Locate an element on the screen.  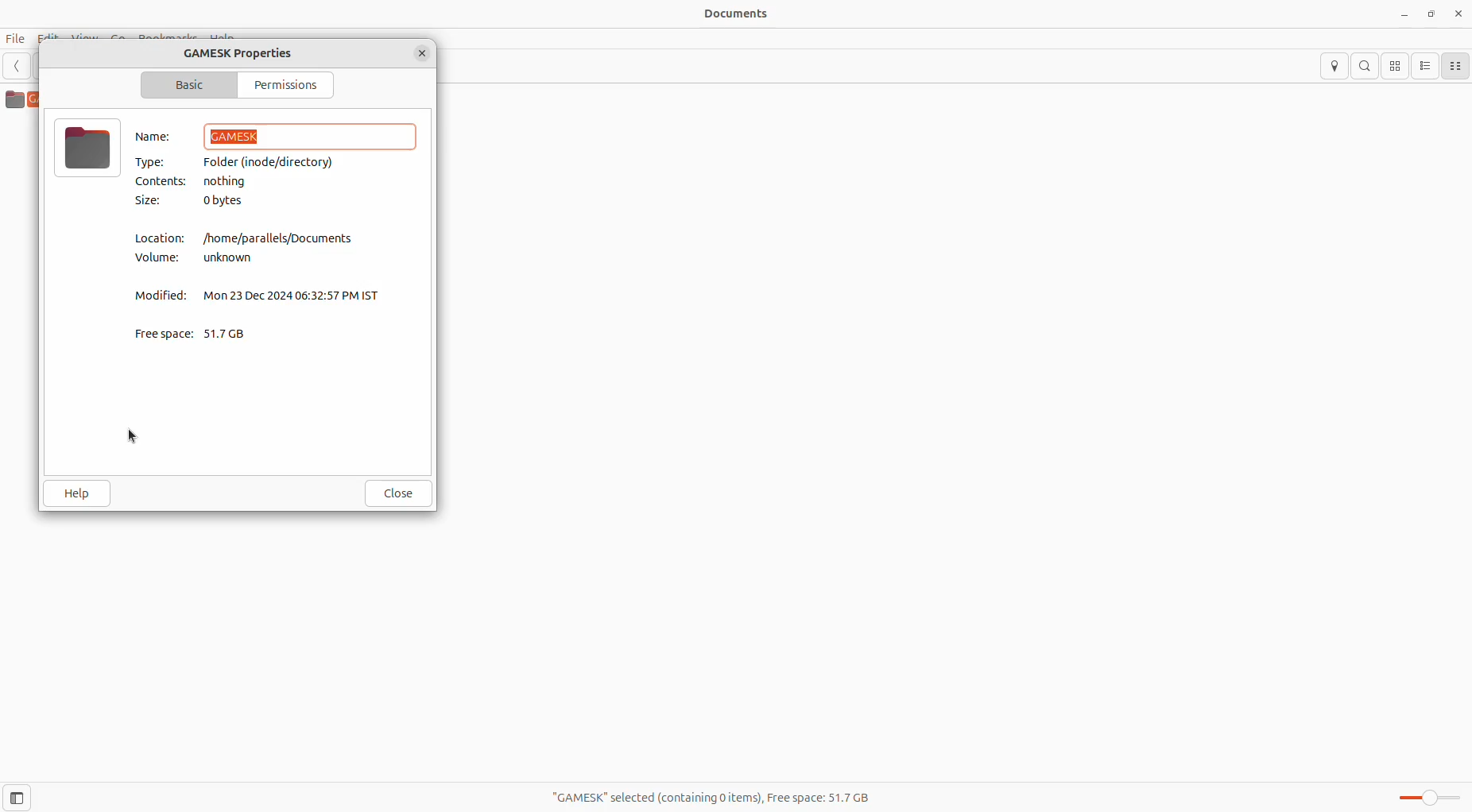
resize is located at coordinates (1433, 14).